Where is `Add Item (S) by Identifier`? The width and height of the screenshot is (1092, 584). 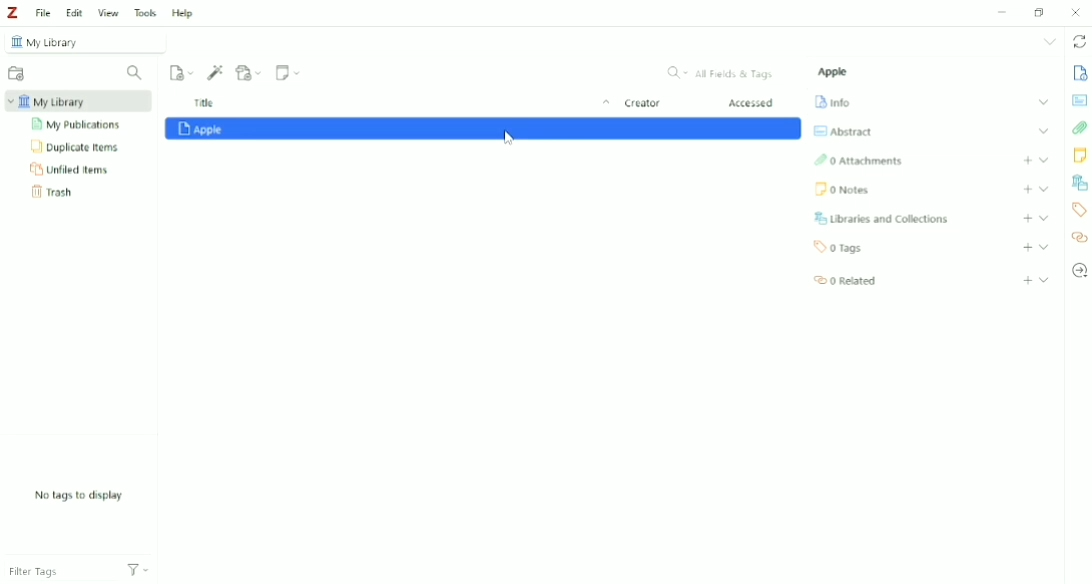 Add Item (S) by Identifier is located at coordinates (216, 72).